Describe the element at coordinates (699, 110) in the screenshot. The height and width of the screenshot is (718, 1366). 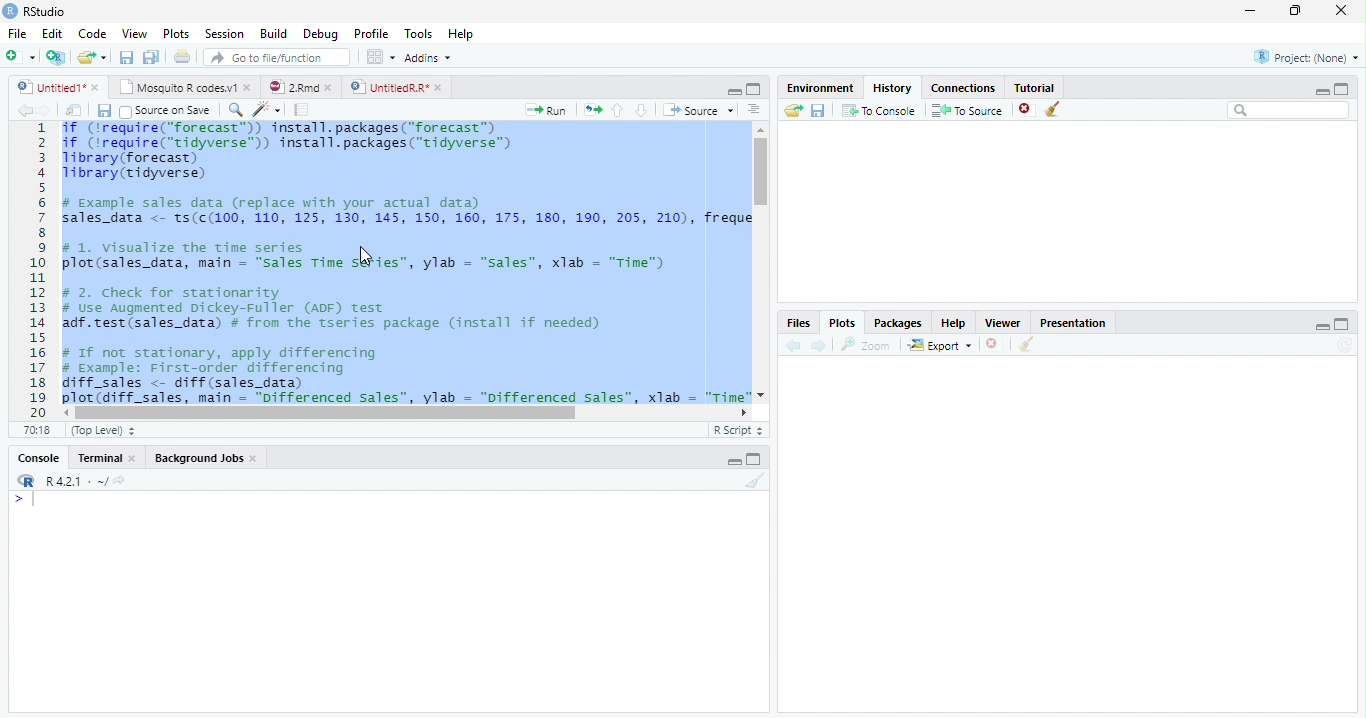
I see `Source` at that location.